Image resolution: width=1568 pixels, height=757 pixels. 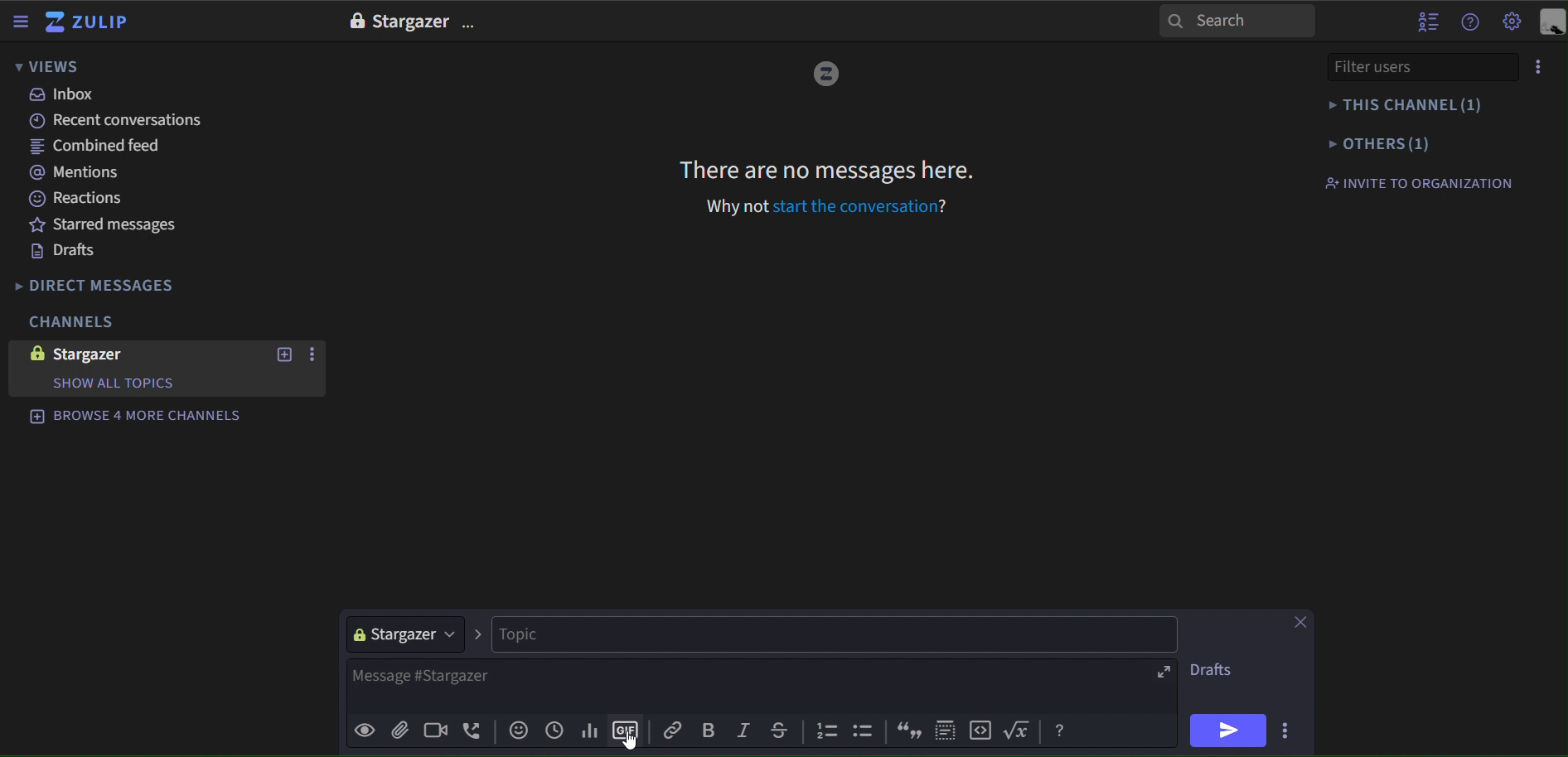 I want to click on preview message, so click(x=365, y=732).